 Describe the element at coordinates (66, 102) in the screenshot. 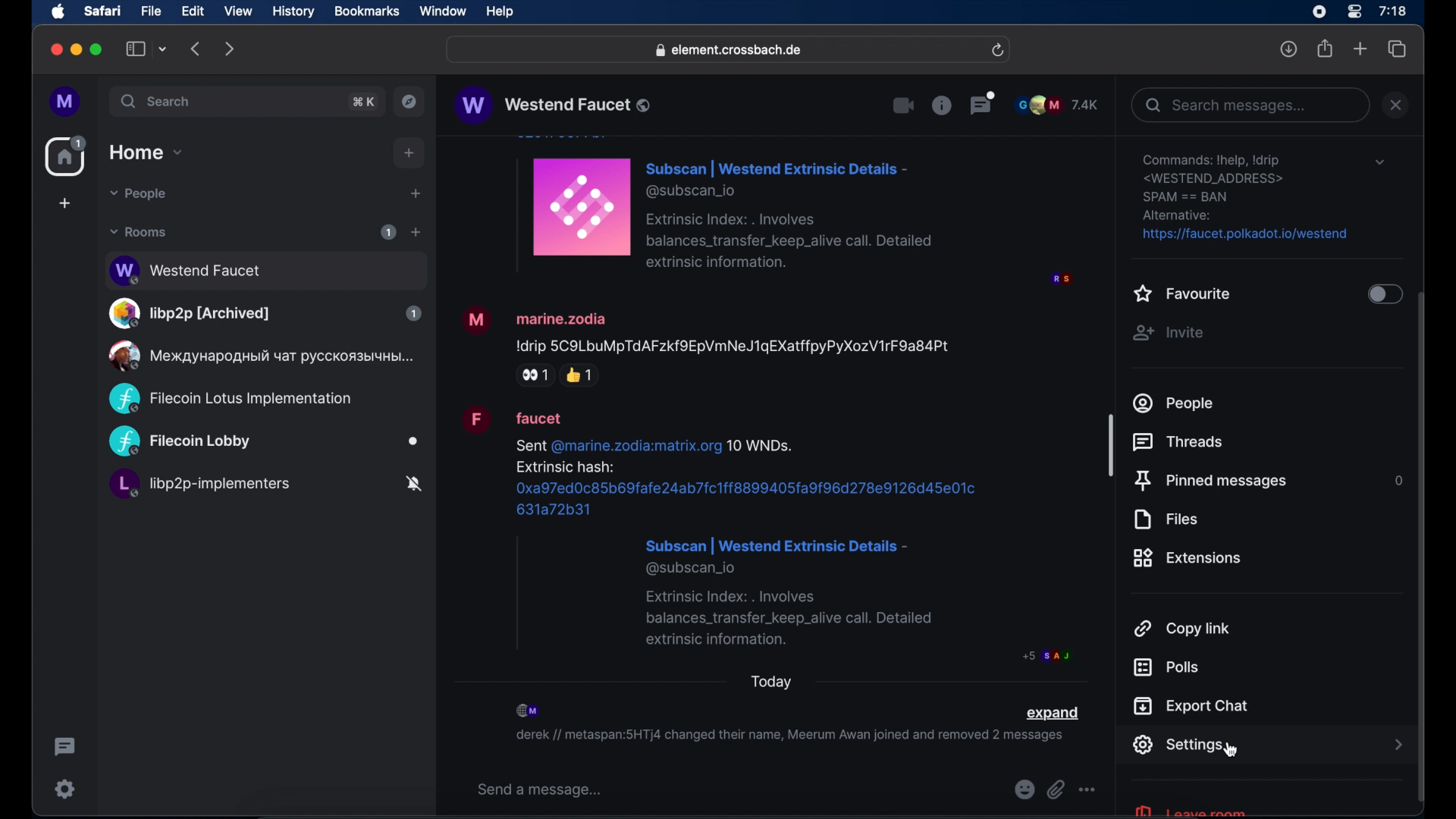

I see `profile` at that location.